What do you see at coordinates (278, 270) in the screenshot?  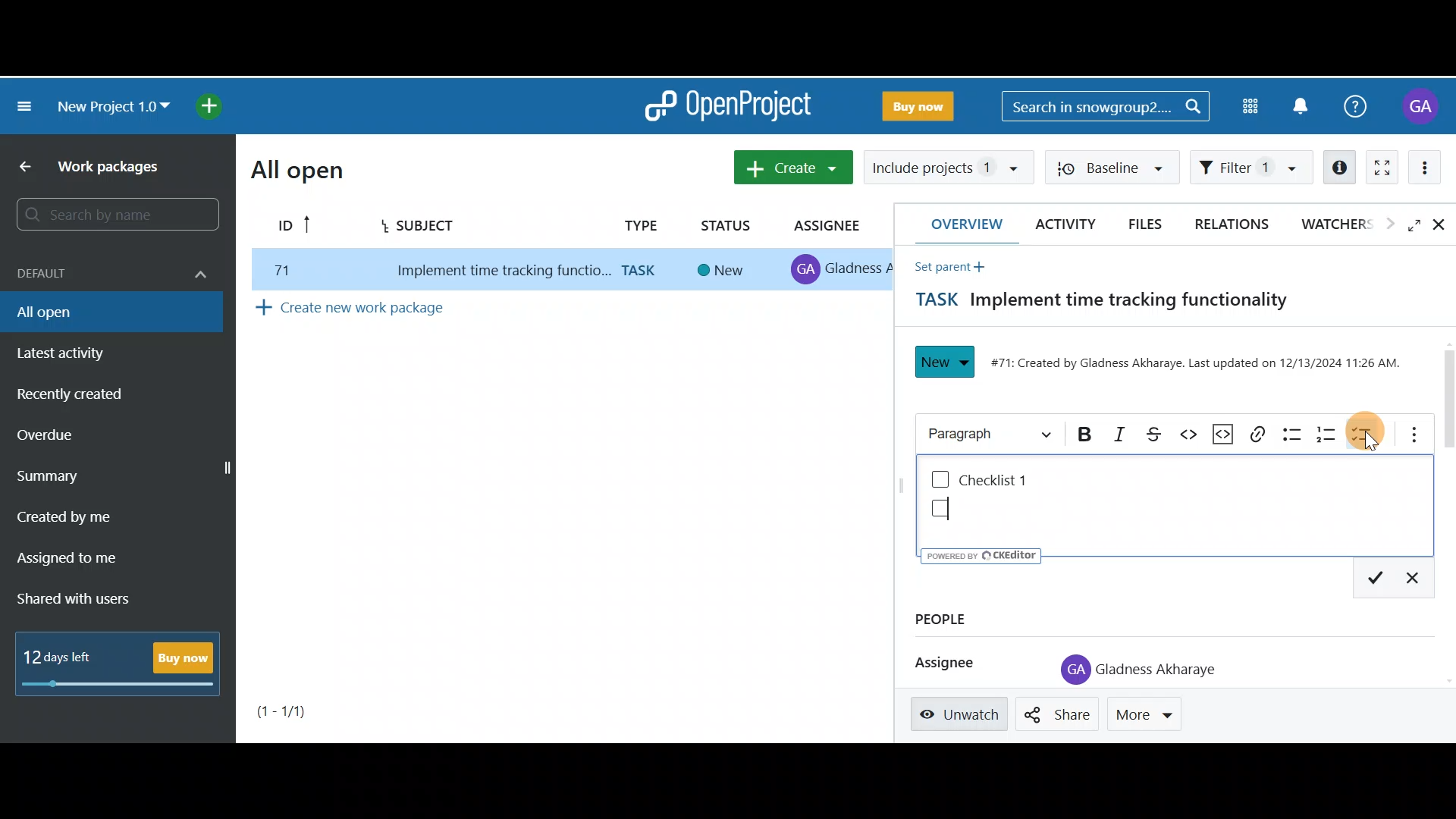 I see `77` at bounding box center [278, 270].